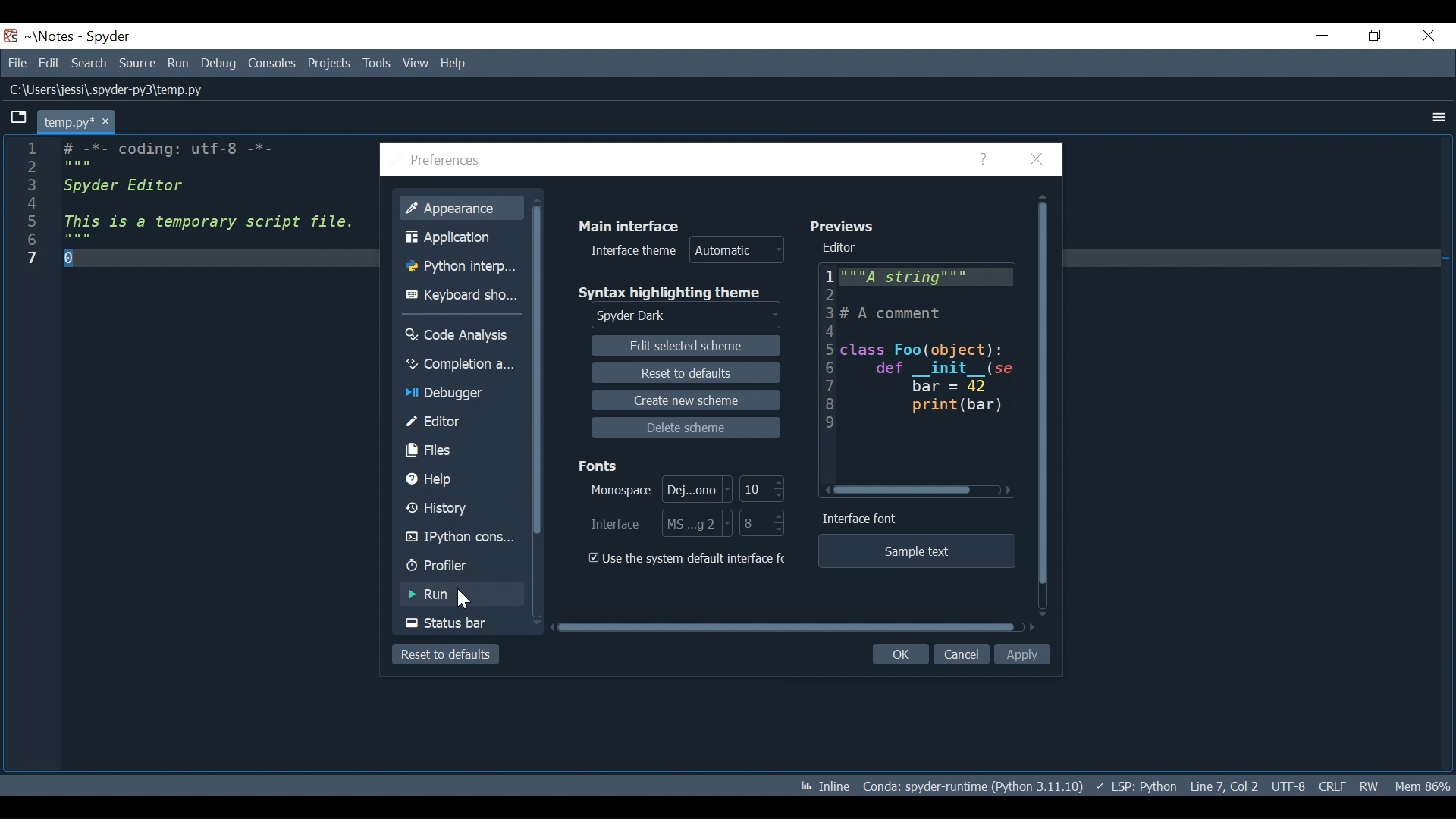 This screenshot has width=1456, height=819. What do you see at coordinates (271, 61) in the screenshot?
I see `Consoles` at bounding box center [271, 61].